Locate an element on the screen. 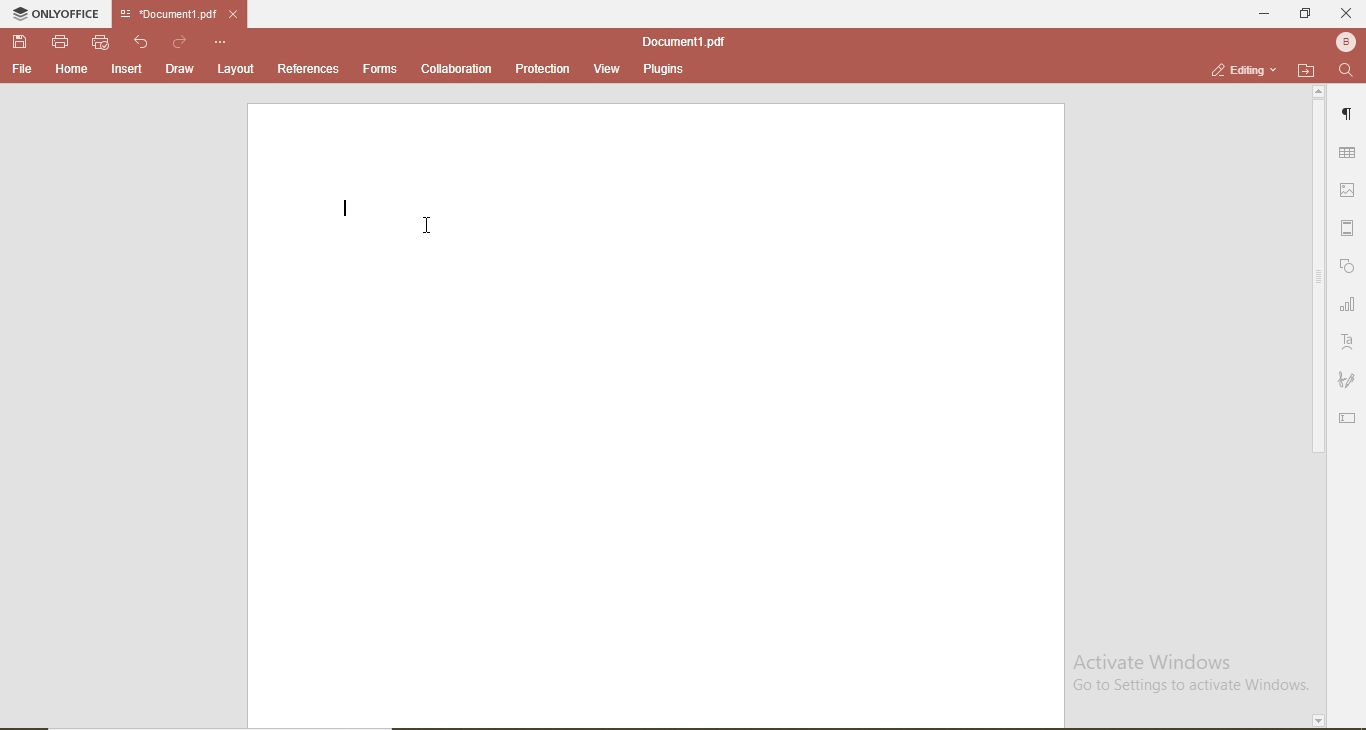  image is located at coordinates (1348, 187).